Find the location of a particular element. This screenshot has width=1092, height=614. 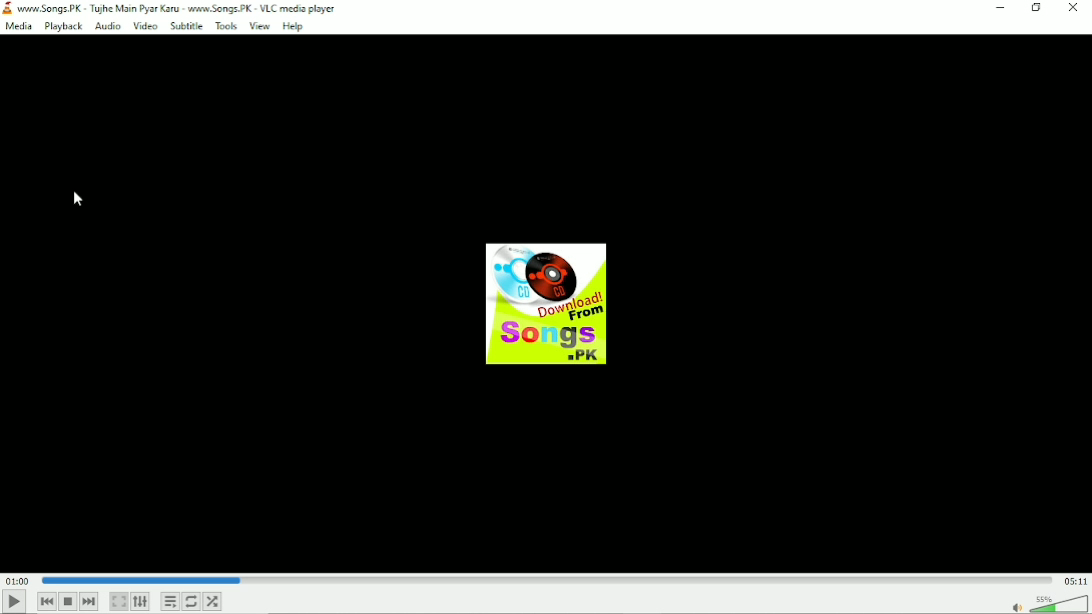

Random is located at coordinates (212, 602).